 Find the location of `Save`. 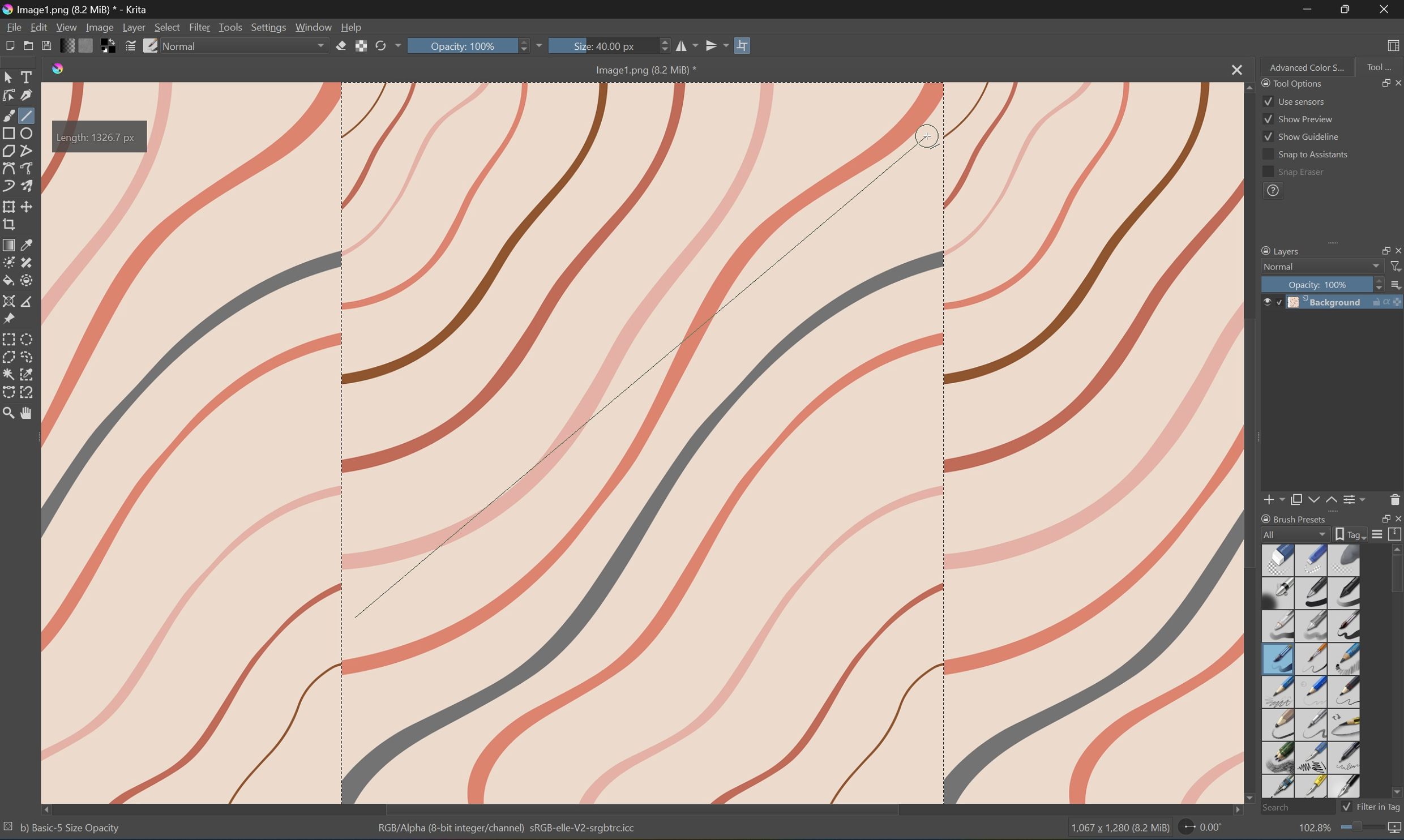

Save is located at coordinates (48, 47).